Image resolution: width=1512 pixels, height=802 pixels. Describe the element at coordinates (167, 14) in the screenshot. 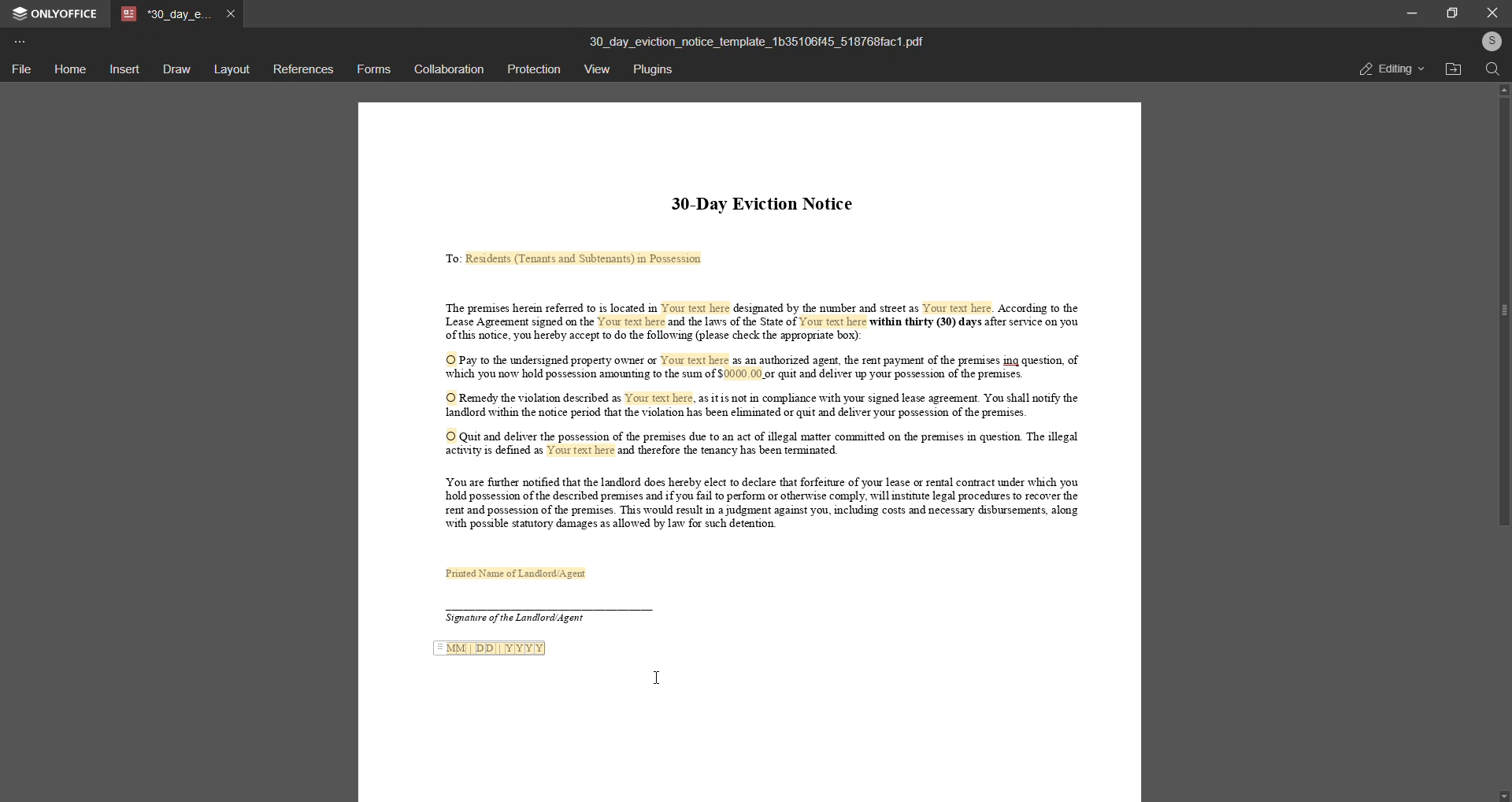

I see `tab name` at that location.